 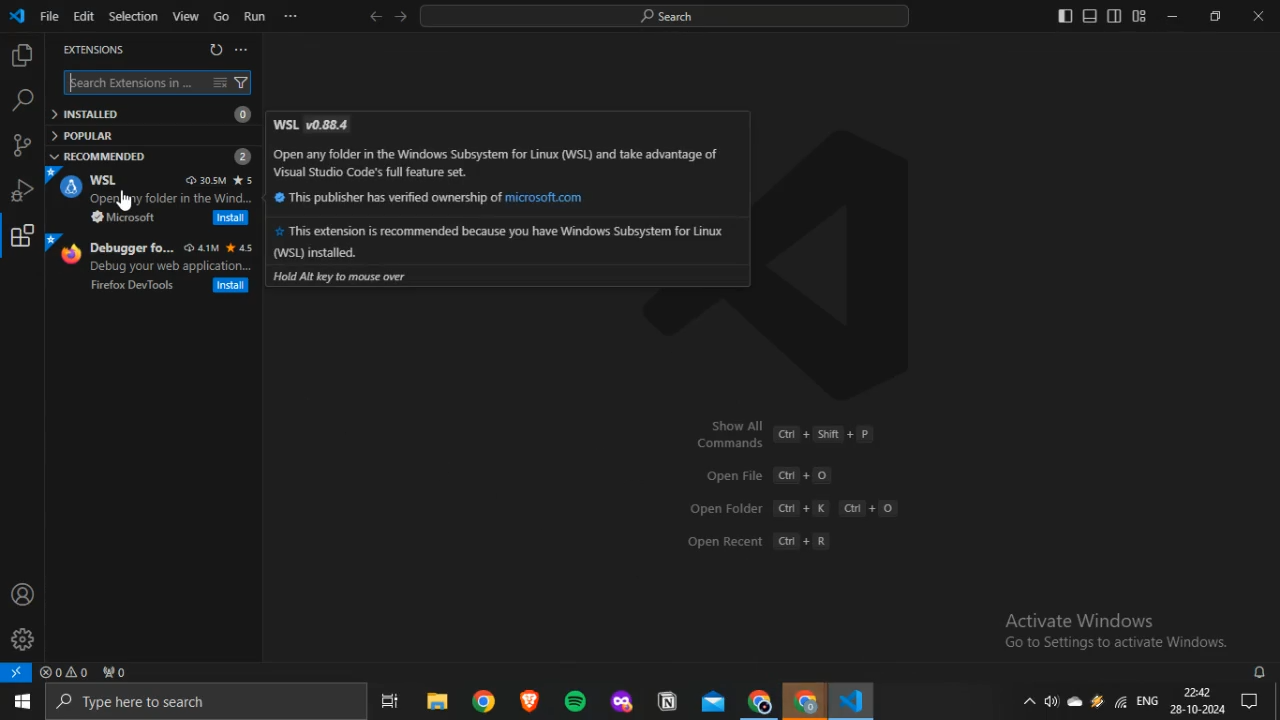 I want to click on Run, so click(x=255, y=16).